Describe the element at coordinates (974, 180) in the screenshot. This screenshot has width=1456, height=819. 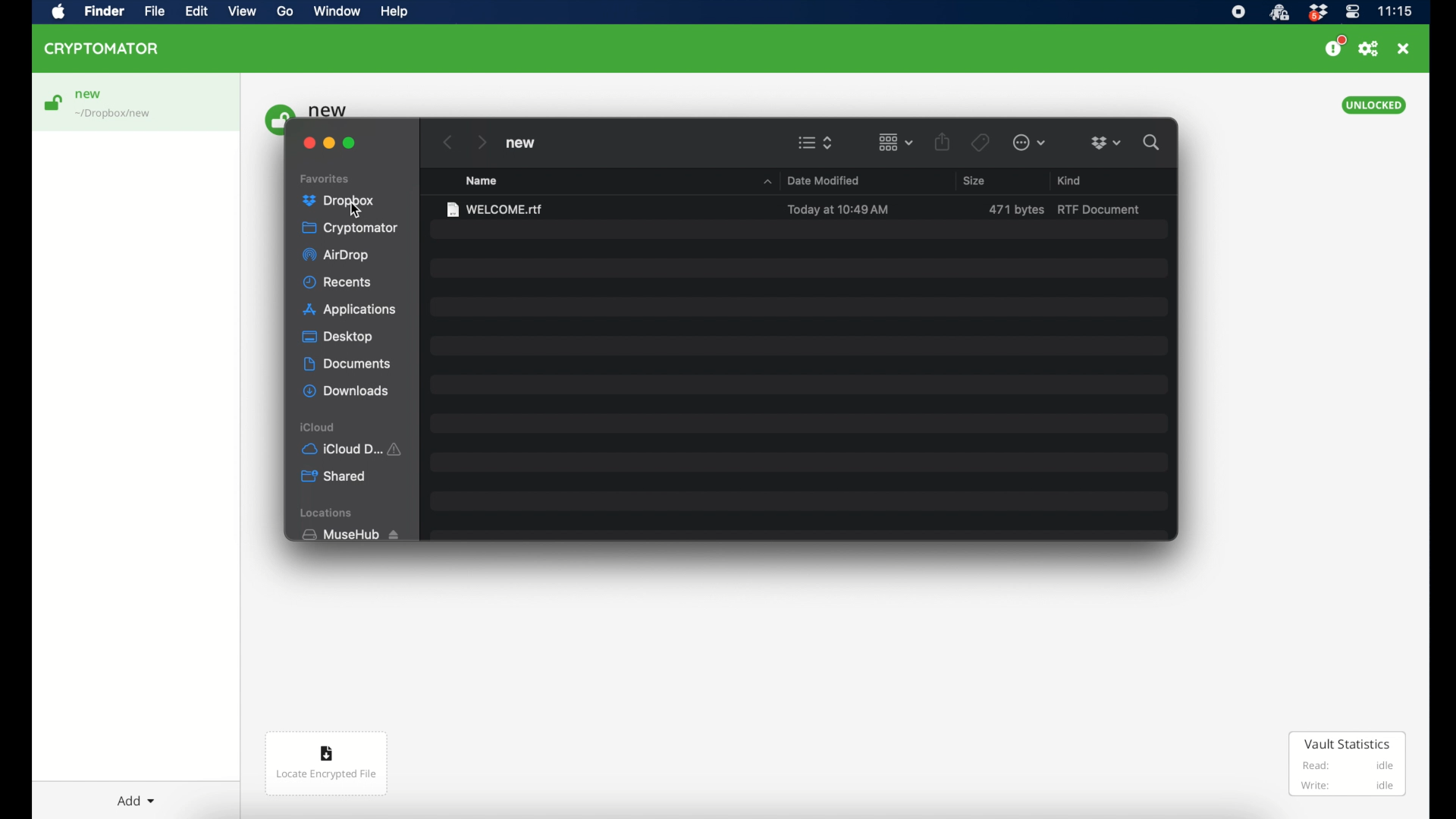
I see `size` at that location.